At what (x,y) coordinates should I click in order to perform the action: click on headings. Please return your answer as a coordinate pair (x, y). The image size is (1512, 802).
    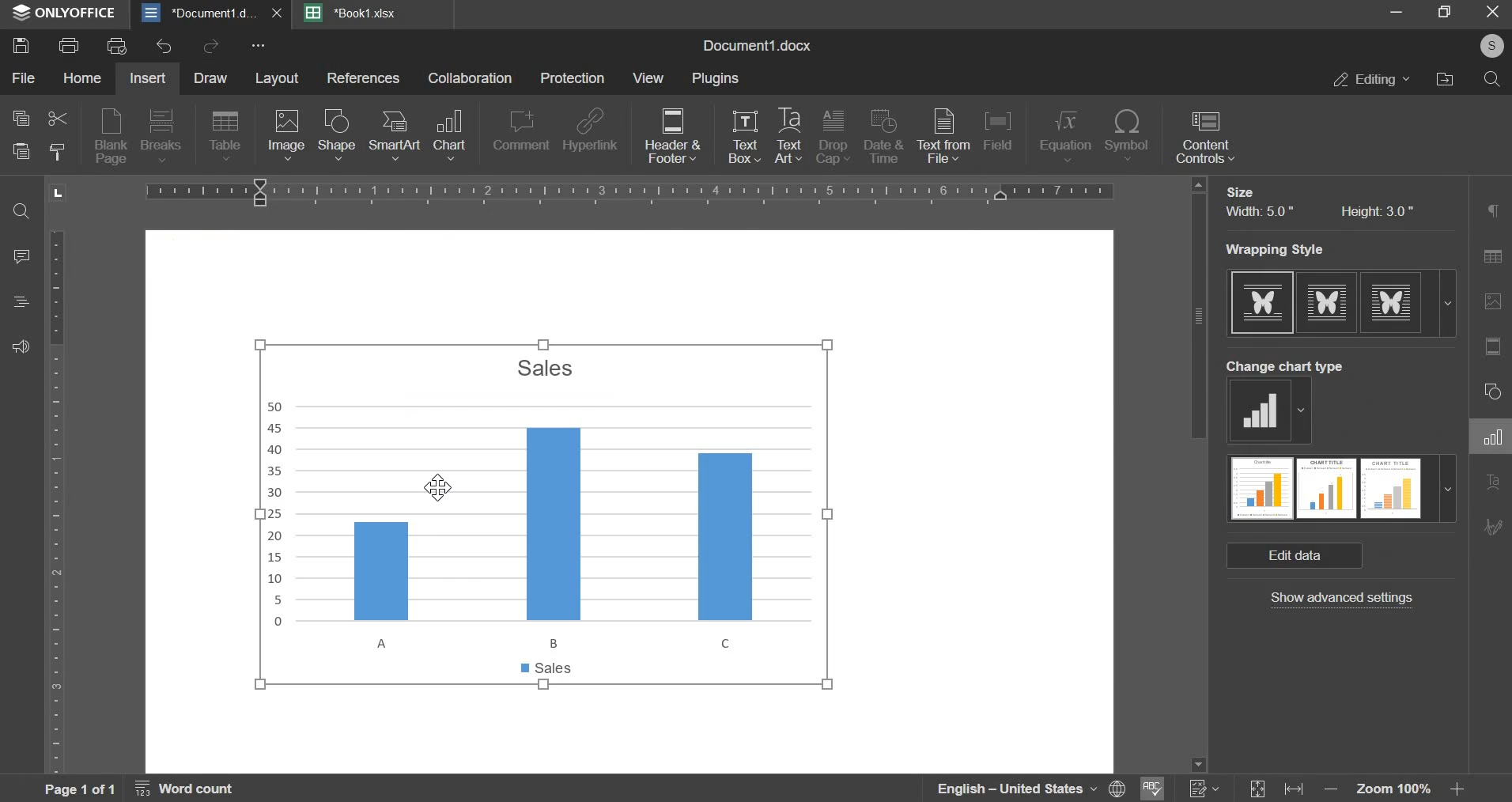
    Looking at the image, I should click on (19, 302).